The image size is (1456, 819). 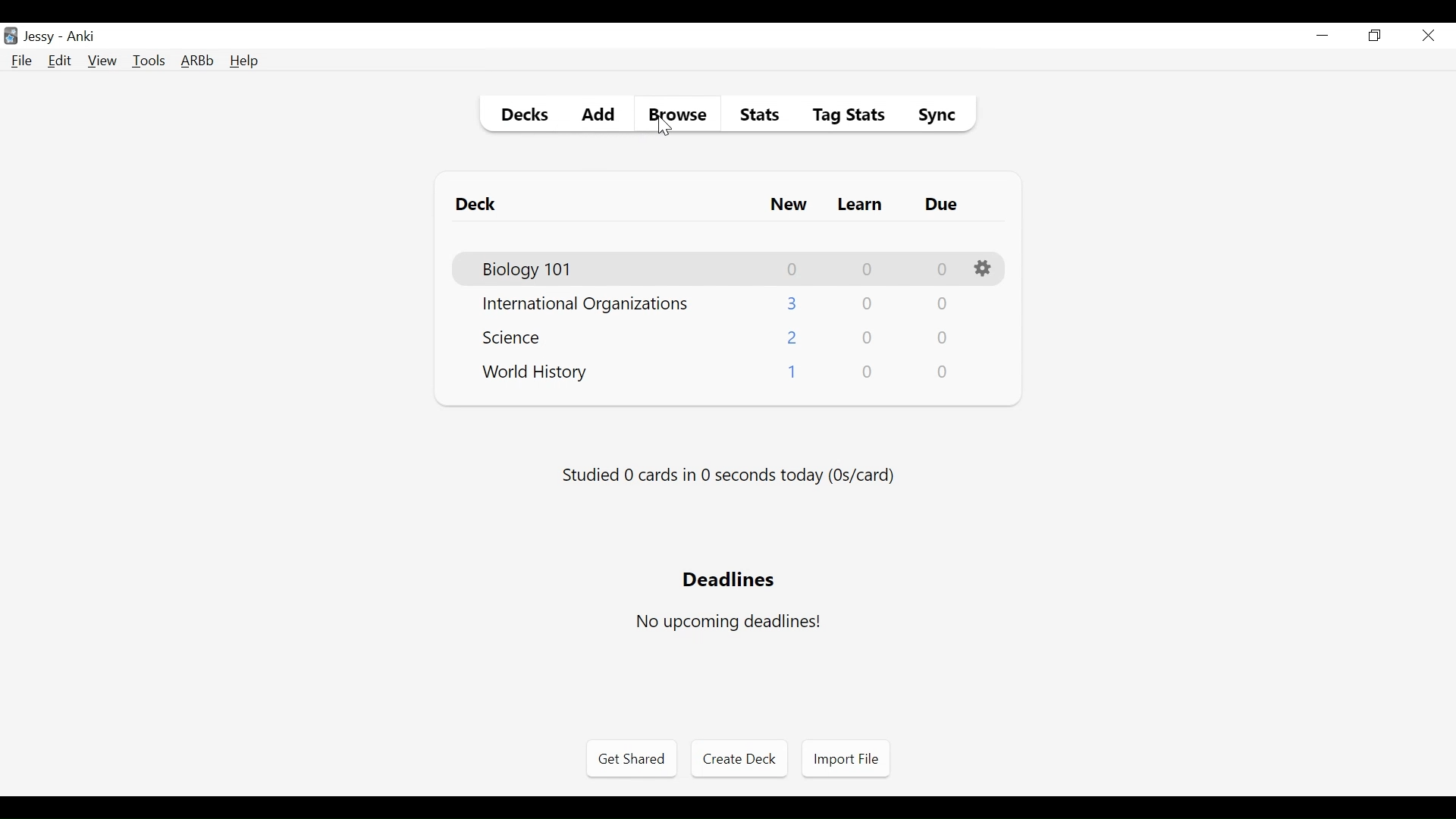 What do you see at coordinates (680, 117) in the screenshot?
I see `Browse` at bounding box center [680, 117].